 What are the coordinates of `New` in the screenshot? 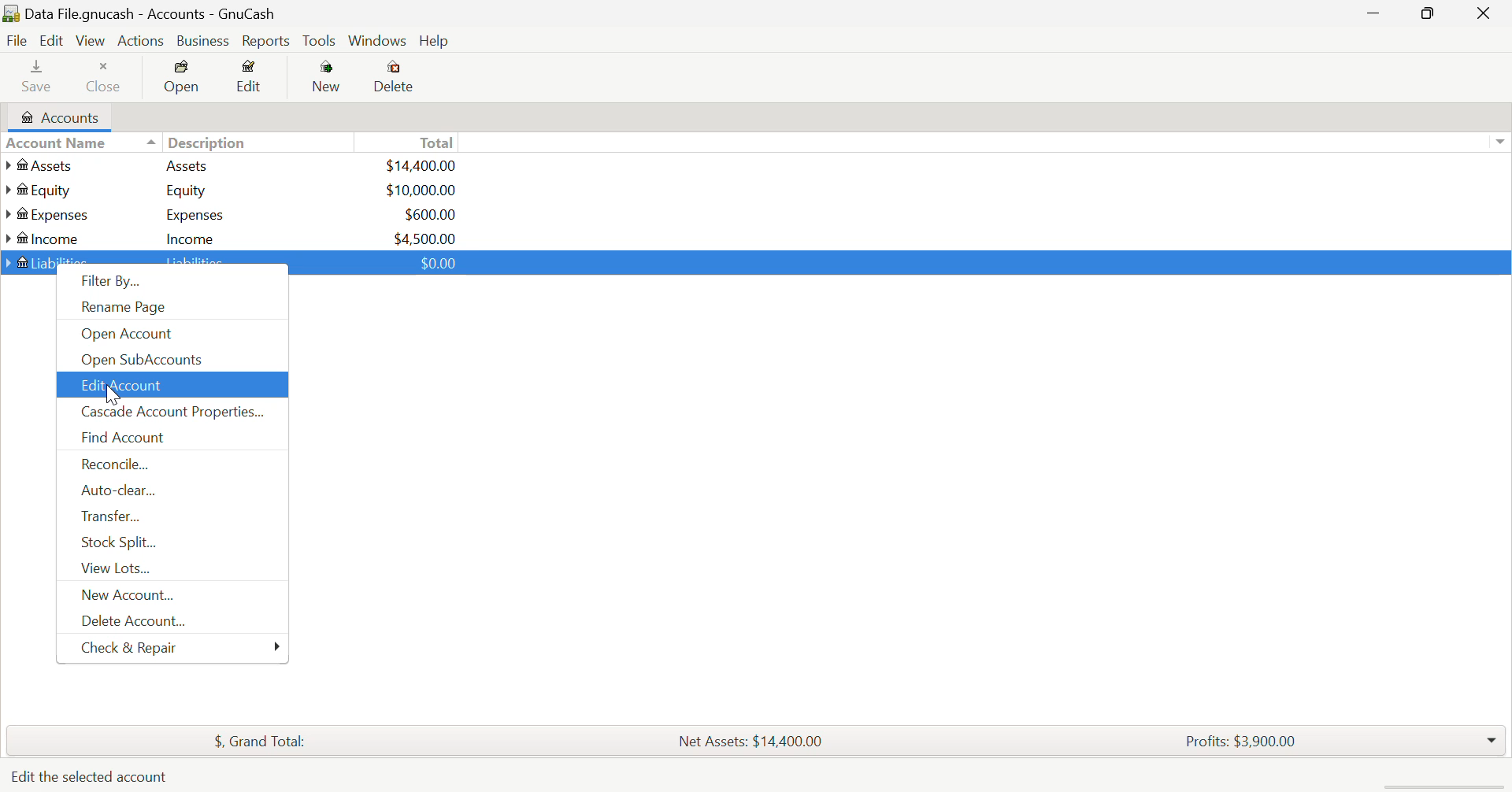 It's located at (328, 80).